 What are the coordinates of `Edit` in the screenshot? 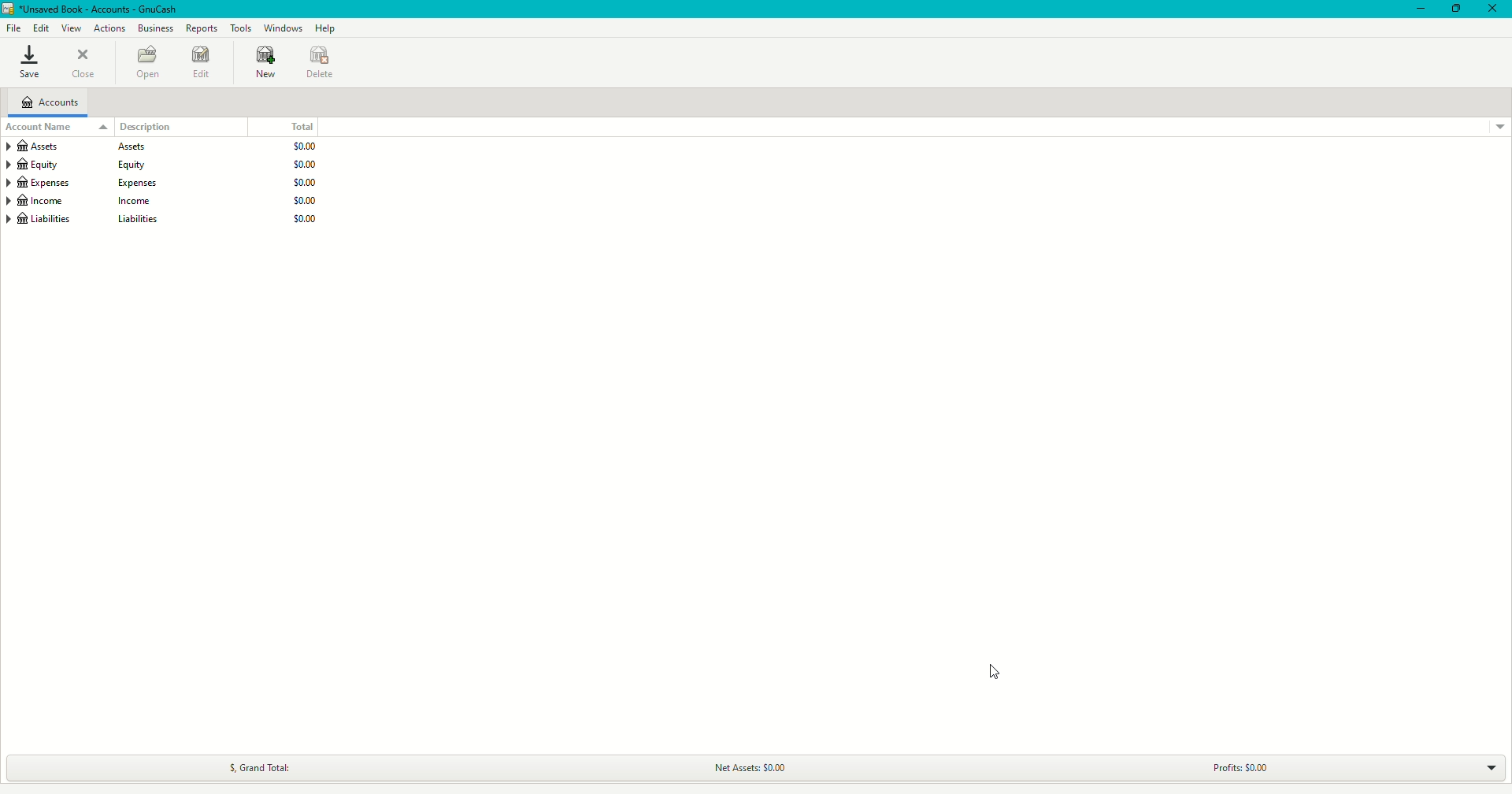 It's located at (43, 28).